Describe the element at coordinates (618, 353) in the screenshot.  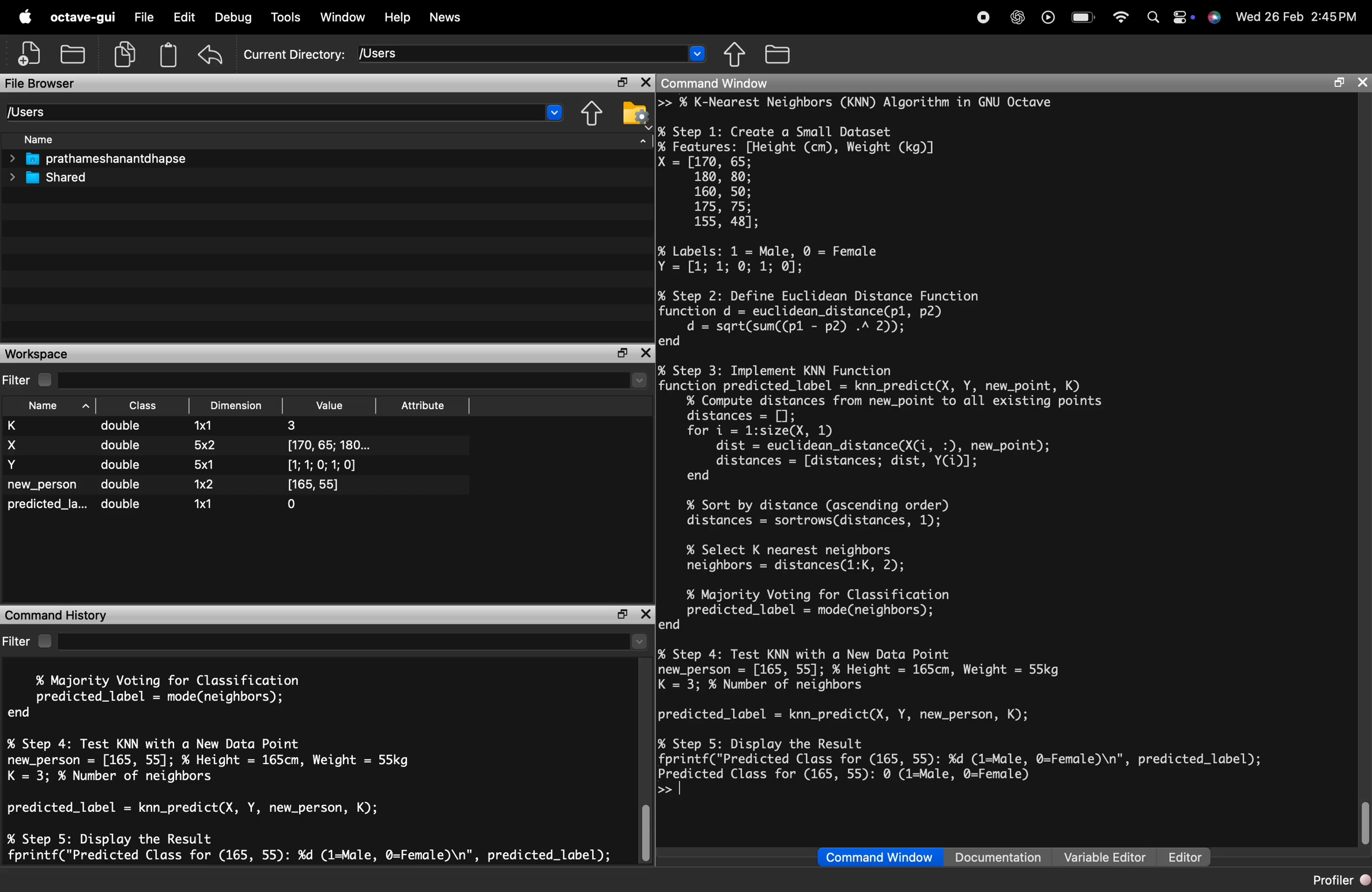
I see `maximise` at that location.